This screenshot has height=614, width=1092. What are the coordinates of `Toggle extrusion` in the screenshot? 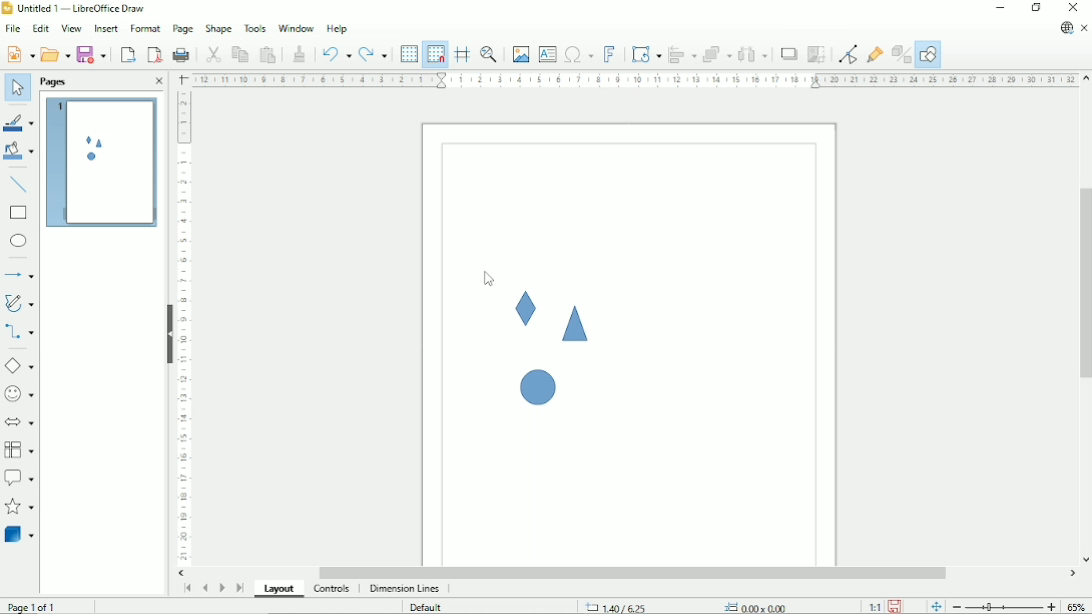 It's located at (901, 55).